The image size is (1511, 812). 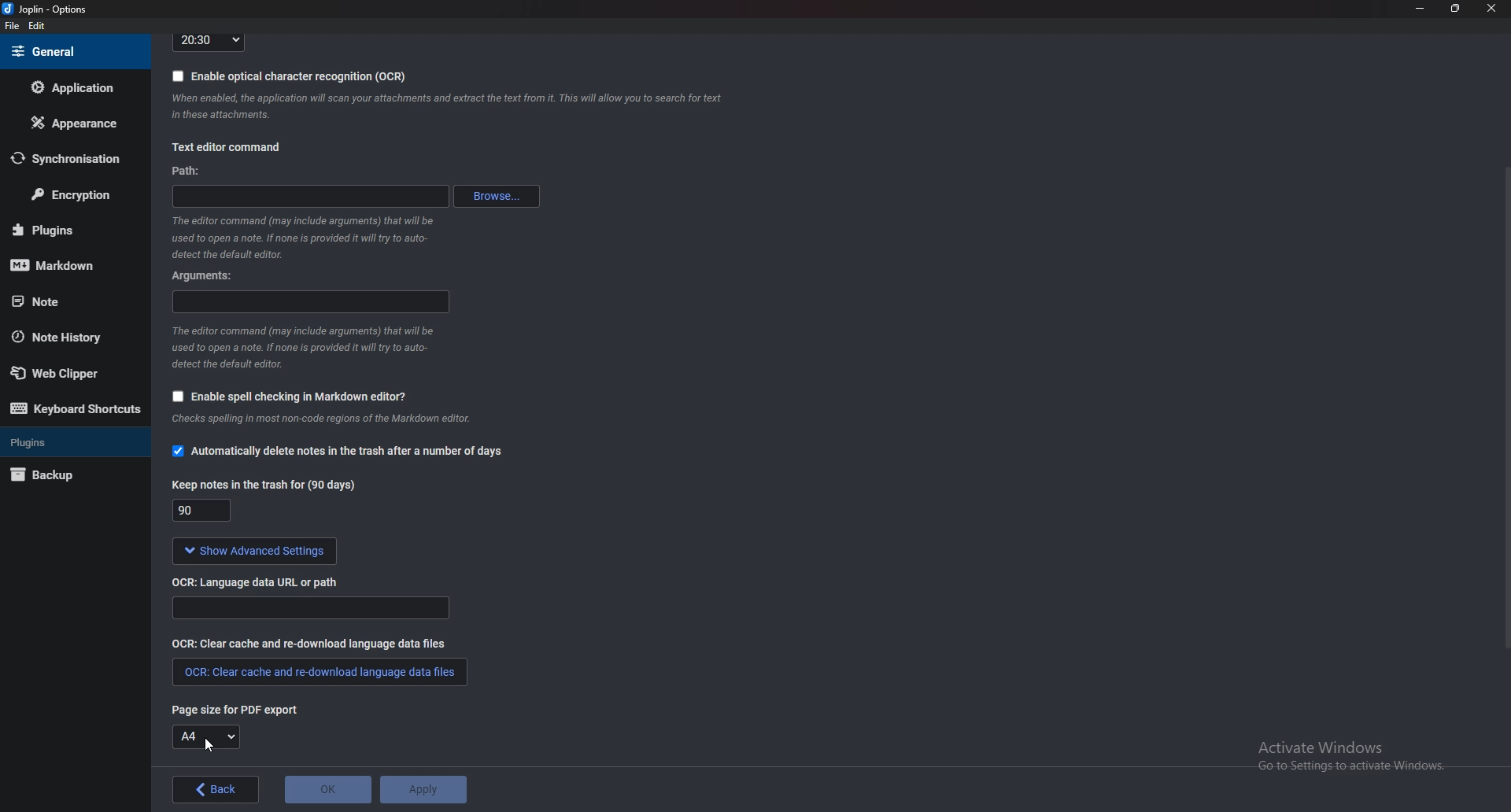 I want to click on Edit, so click(x=36, y=27).